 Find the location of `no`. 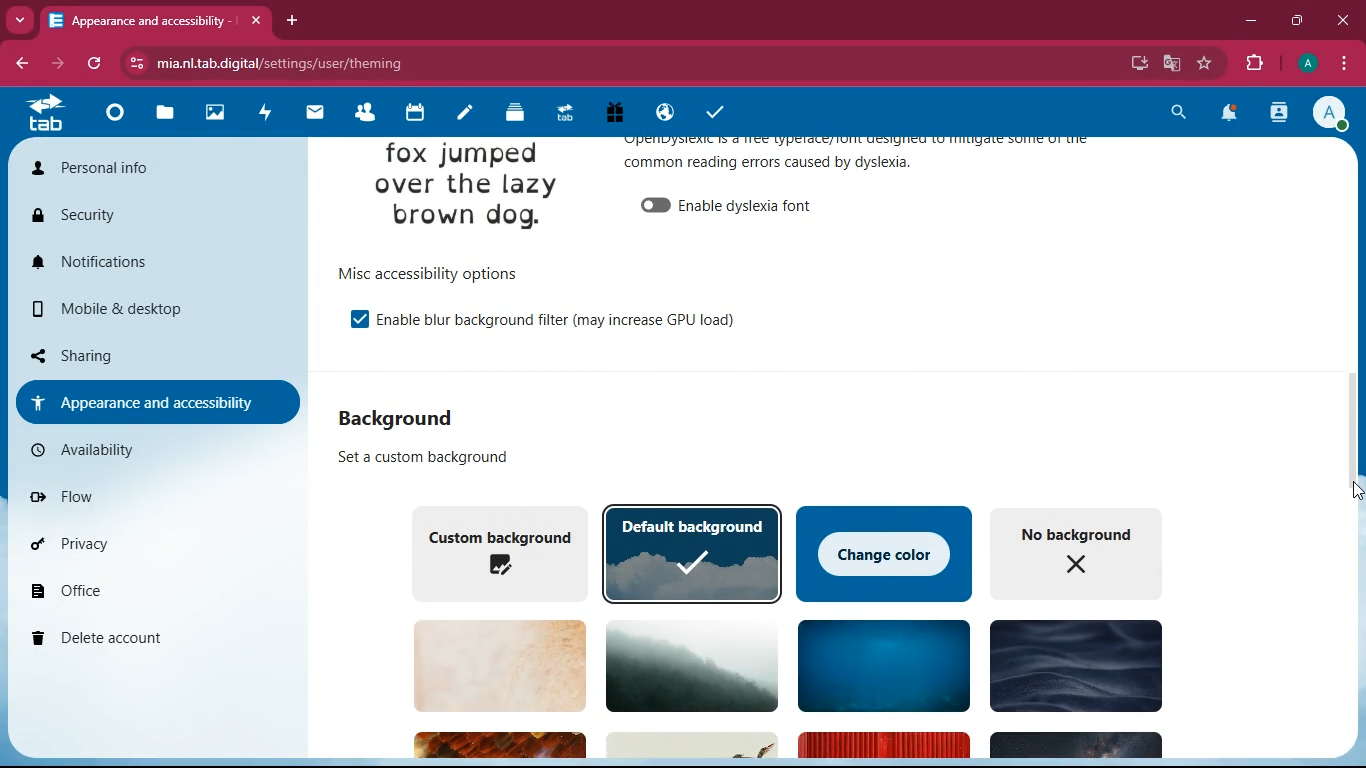

no is located at coordinates (1077, 555).